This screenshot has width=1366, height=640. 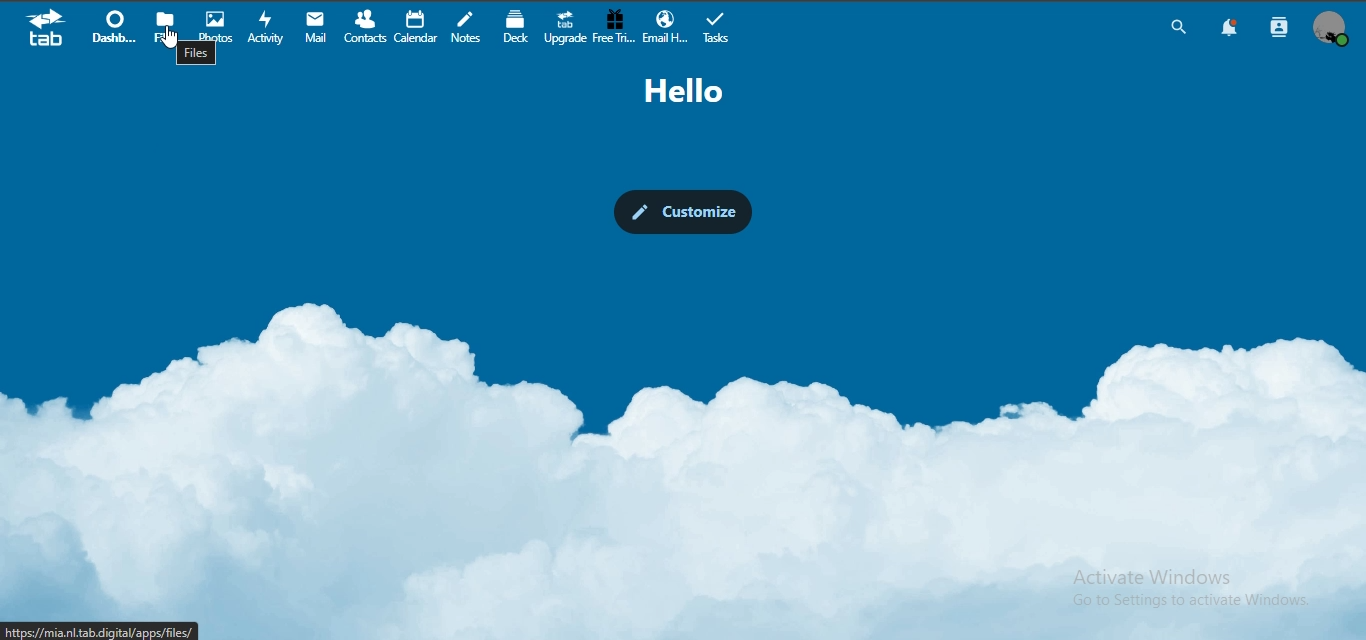 What do you see at coordinates (172, 40) in the screenshot?
I see `cursor` at bounding box center [172, 40].